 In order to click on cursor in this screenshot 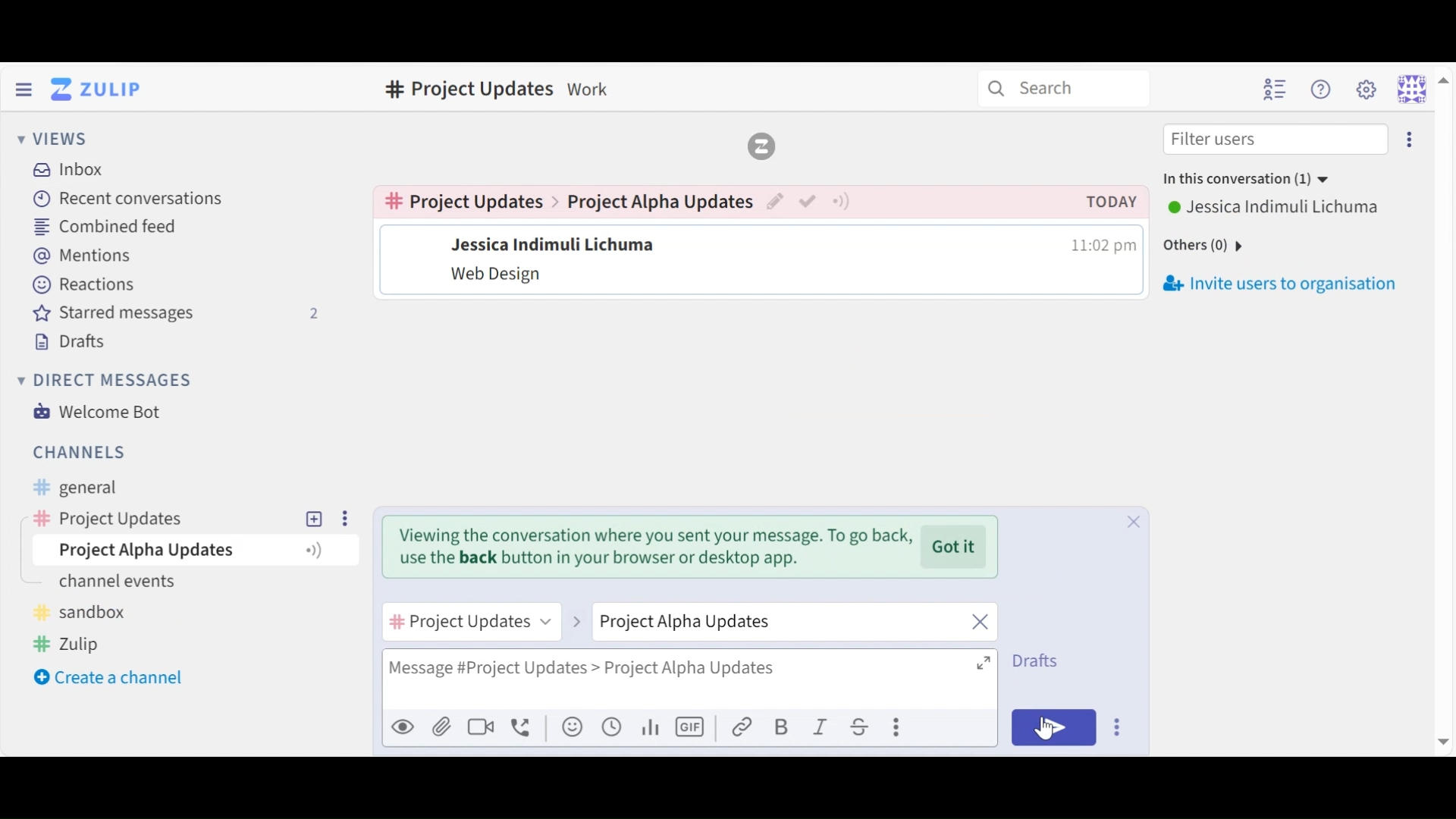, I will do `click(1043, 727)`.